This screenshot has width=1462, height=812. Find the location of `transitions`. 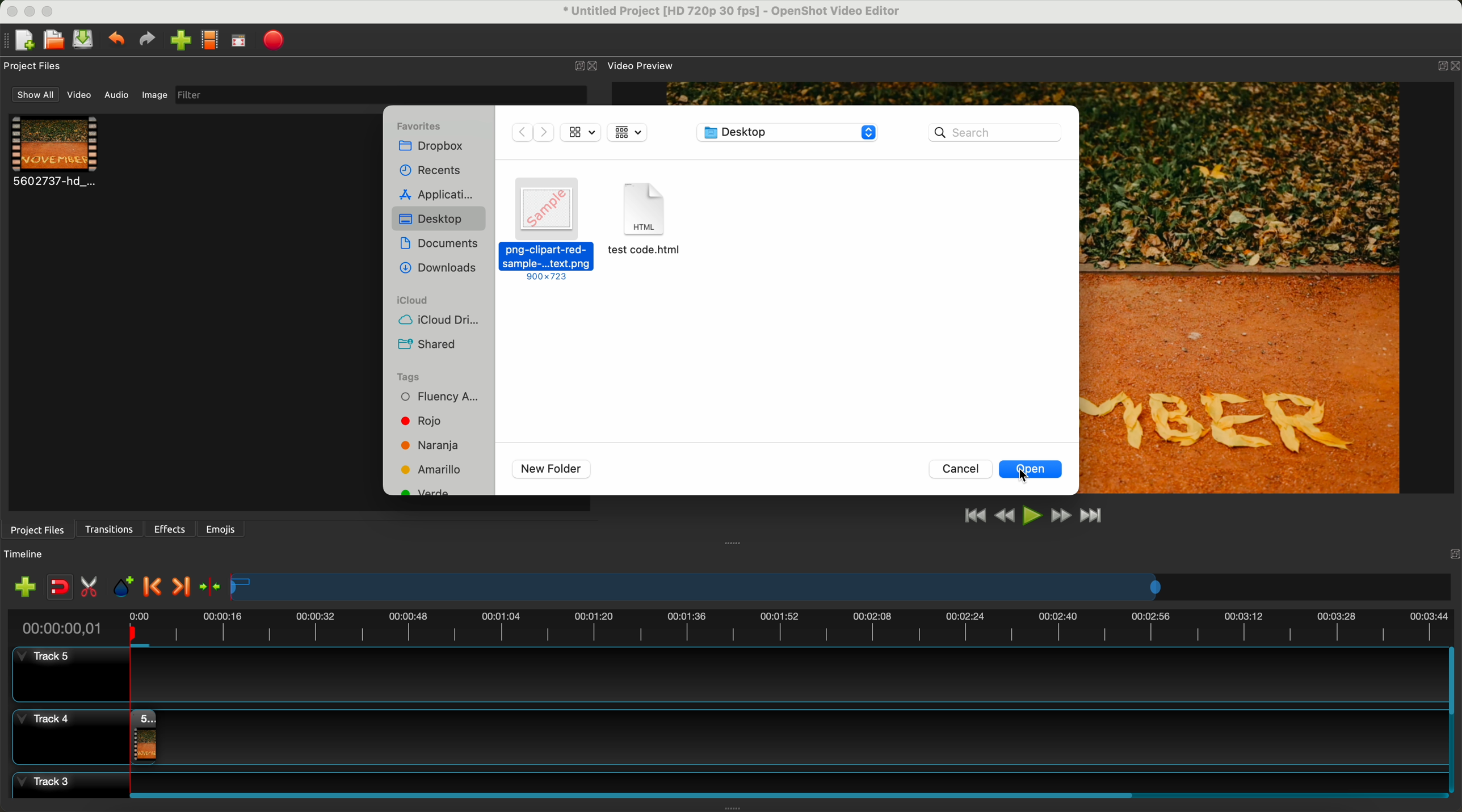

transitions is located at coordinates (111, 529).